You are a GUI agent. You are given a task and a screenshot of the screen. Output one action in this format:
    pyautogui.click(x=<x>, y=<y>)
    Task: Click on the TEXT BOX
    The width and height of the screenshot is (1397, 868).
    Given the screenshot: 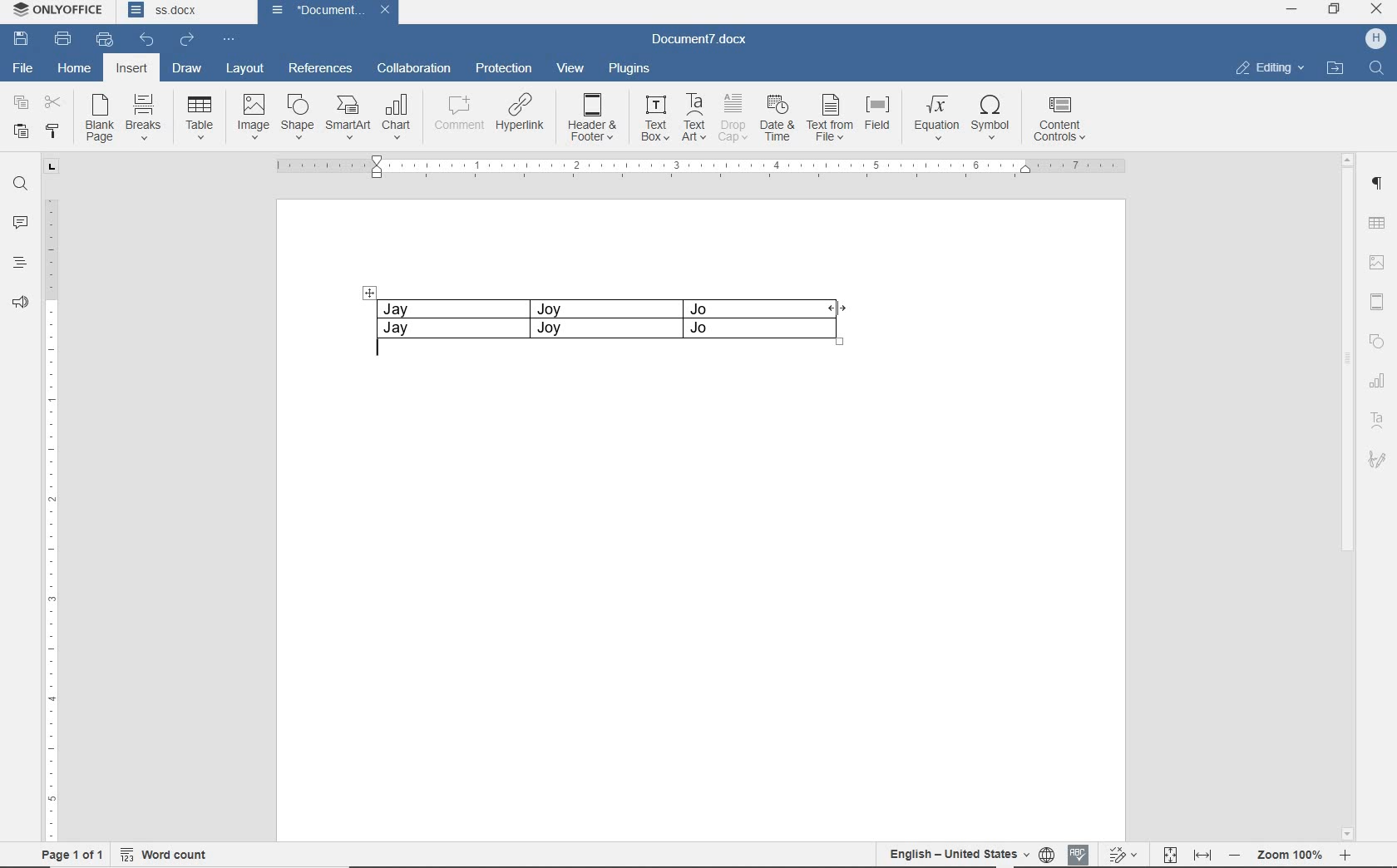 What is the action you would take?
    pyautogui.click(x=655, y=118)
    